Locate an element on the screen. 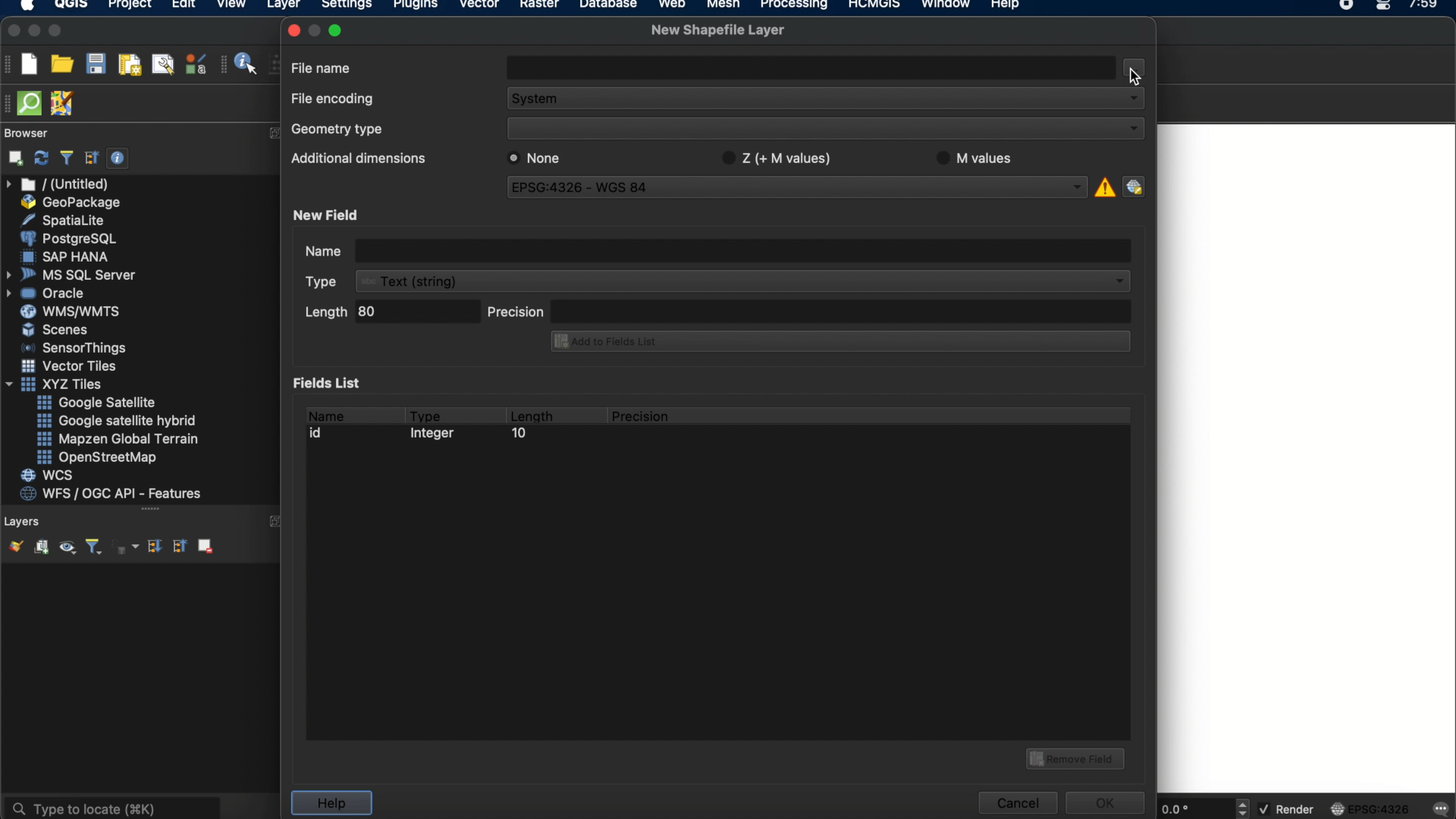 This screenshot has height=819, width=1456. 7:58 is located at coordinates (1425, 9).